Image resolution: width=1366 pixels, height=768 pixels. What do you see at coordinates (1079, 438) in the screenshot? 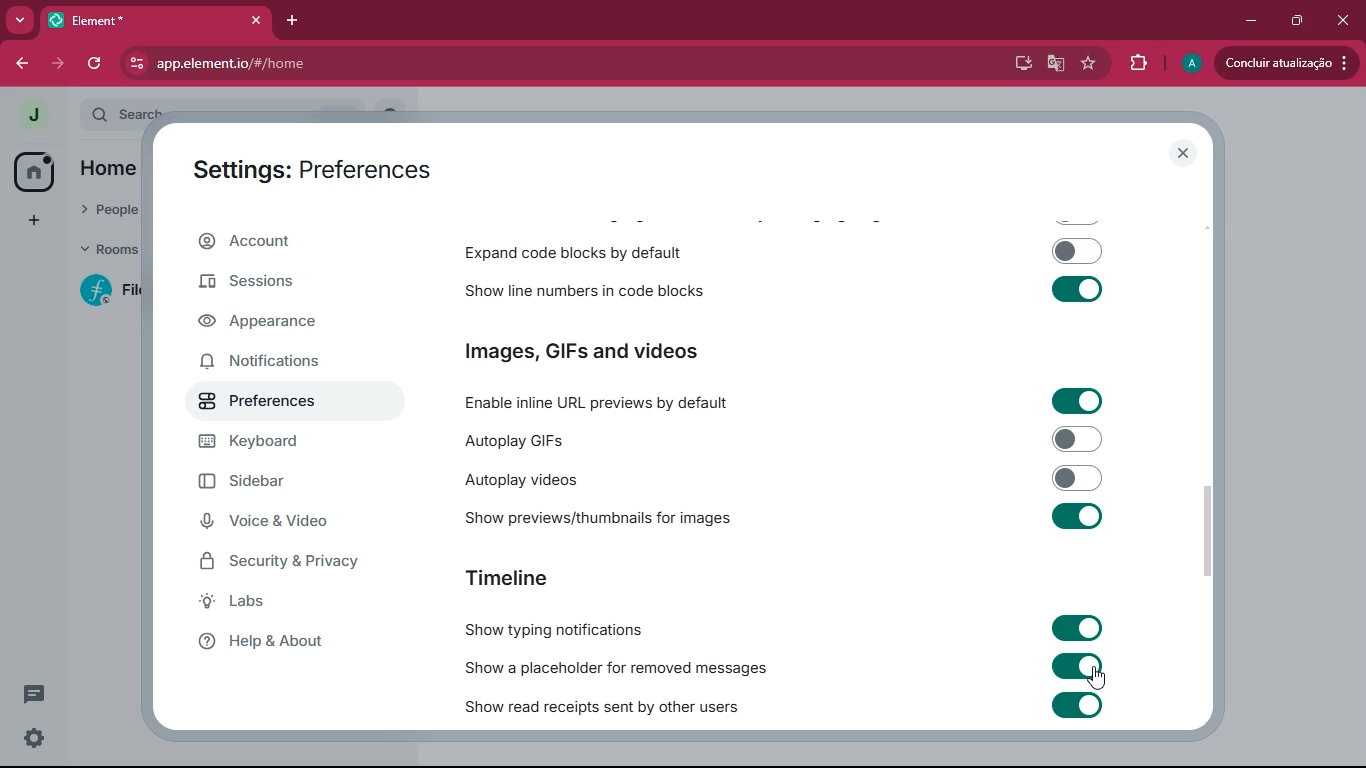
I see `toggle on/off` at bounding box center [1079, 438].